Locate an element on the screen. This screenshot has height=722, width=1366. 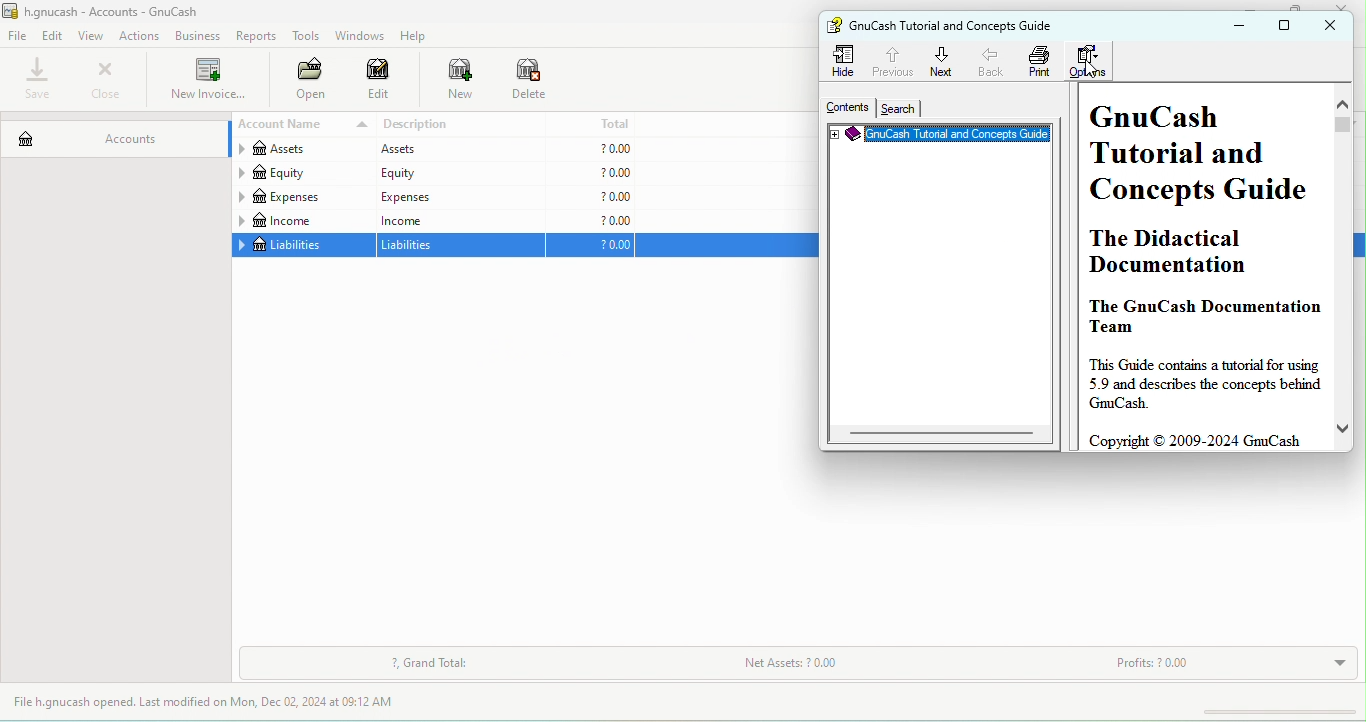
contents is located at coordinates (844, 107).